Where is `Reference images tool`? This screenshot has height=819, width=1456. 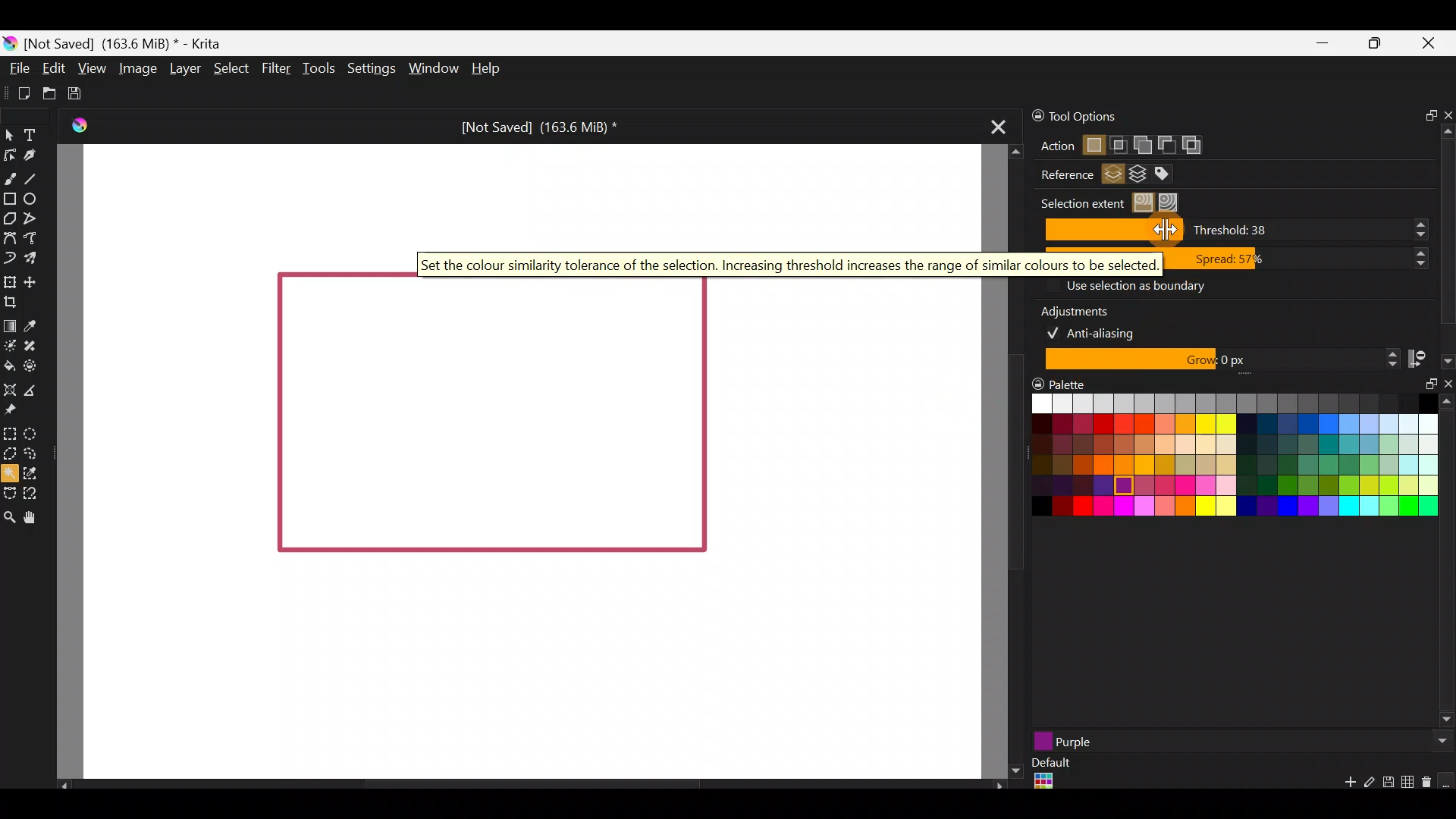
Reference images tool is located at coordinates (17, 412).